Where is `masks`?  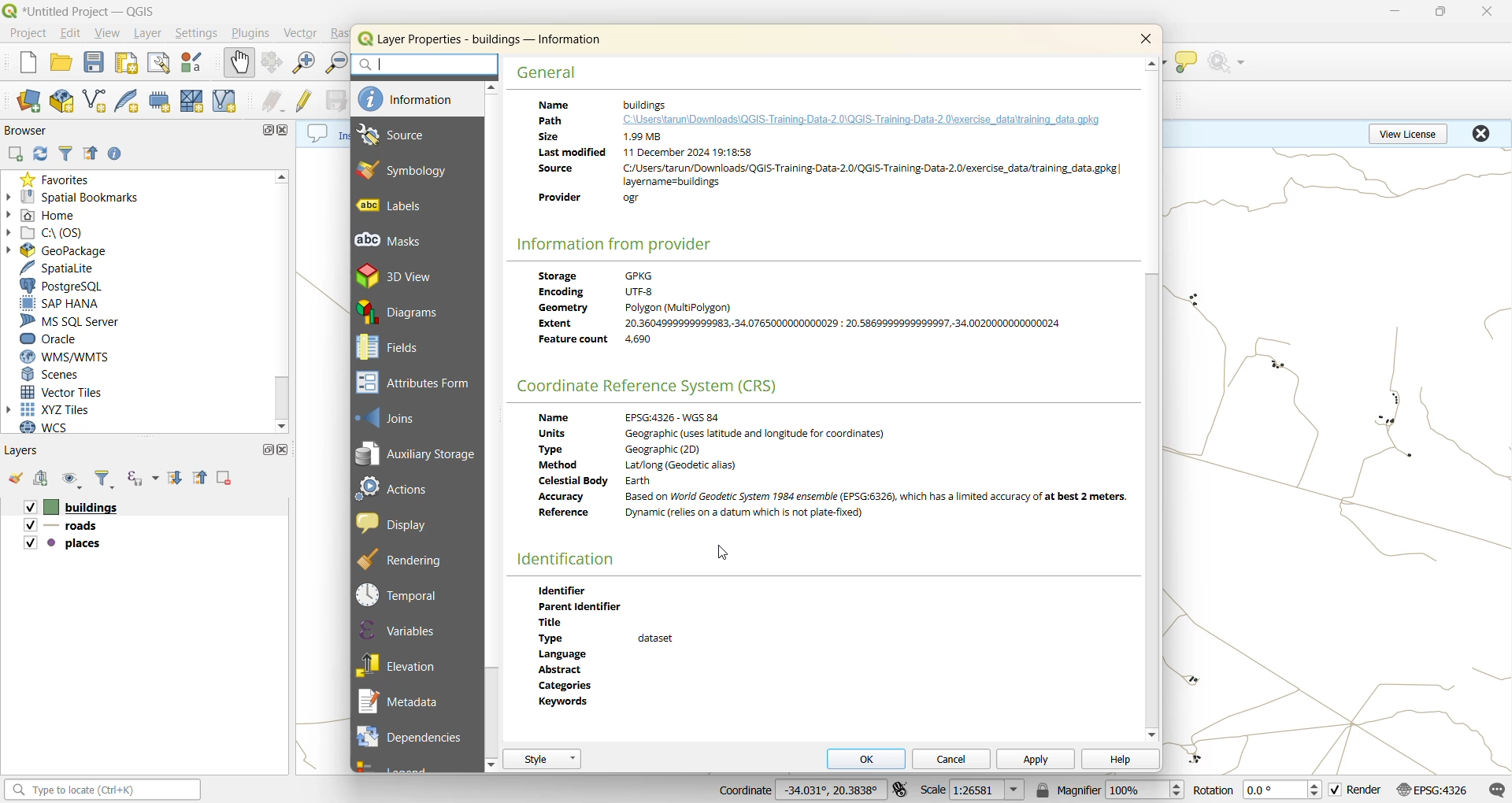 masks is located at coordinates (393, 240).